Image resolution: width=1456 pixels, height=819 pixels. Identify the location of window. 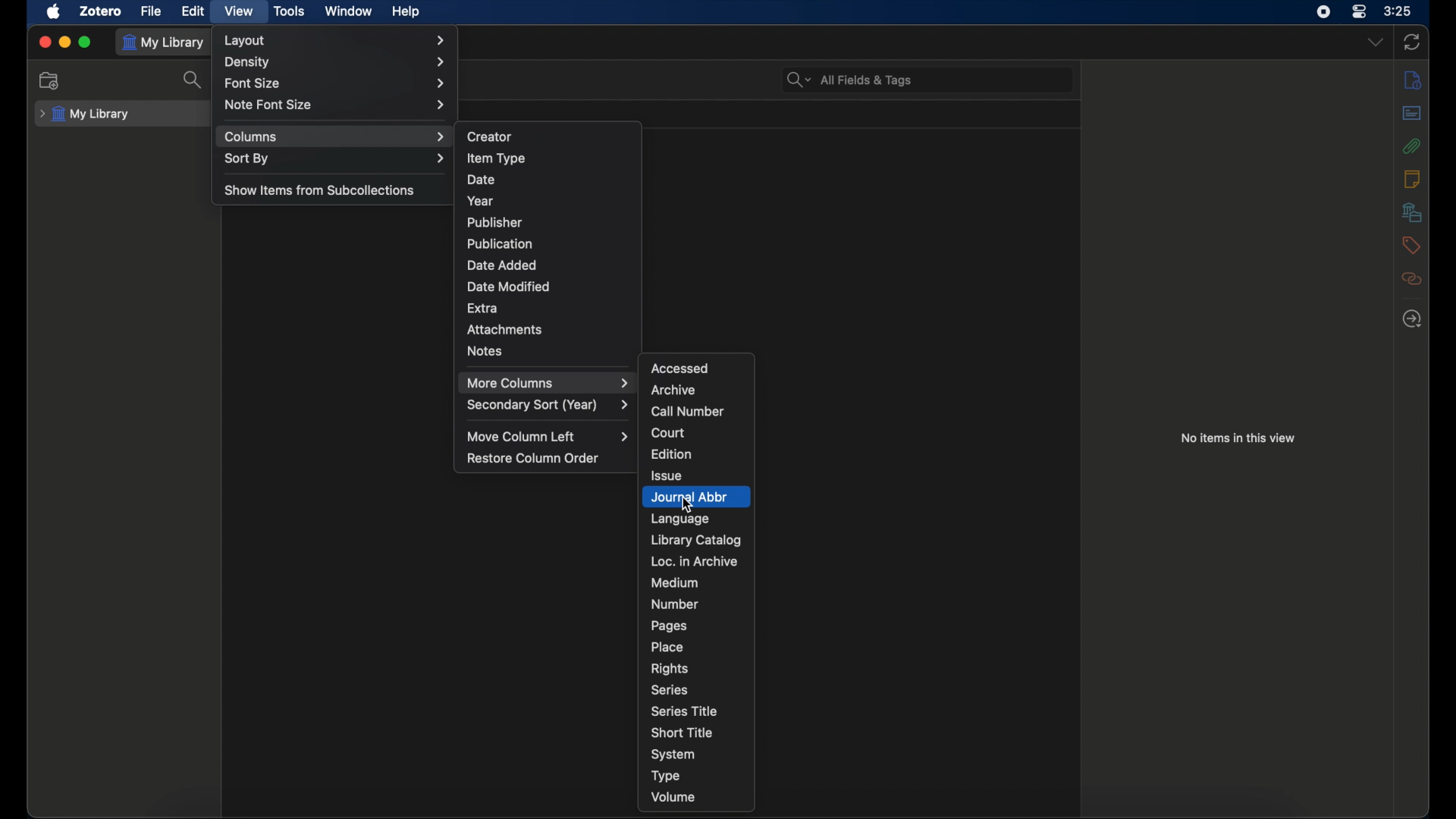
(347, 11).